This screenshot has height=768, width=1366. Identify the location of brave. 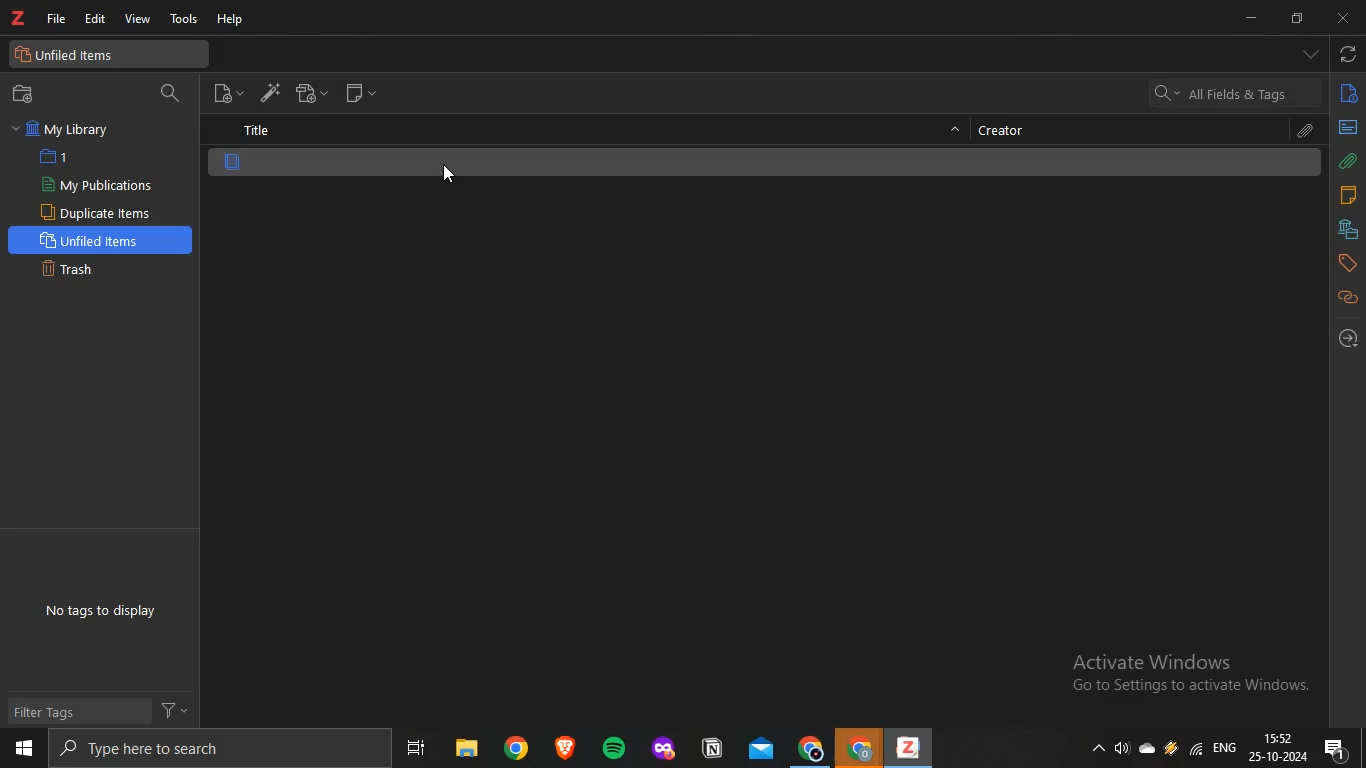
(563, 747).